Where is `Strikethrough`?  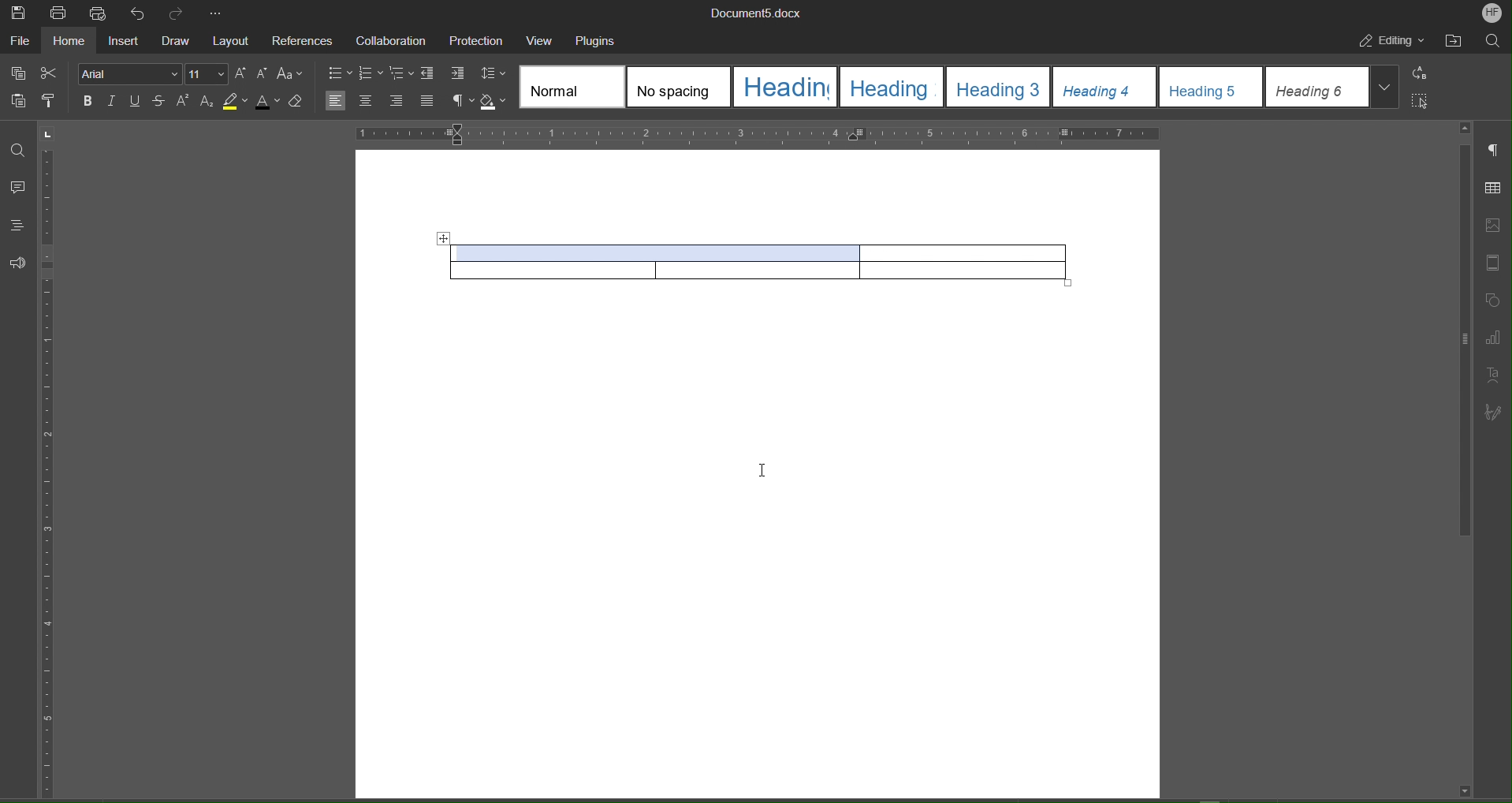
Strikethrough is located at coordinates (160, 102).